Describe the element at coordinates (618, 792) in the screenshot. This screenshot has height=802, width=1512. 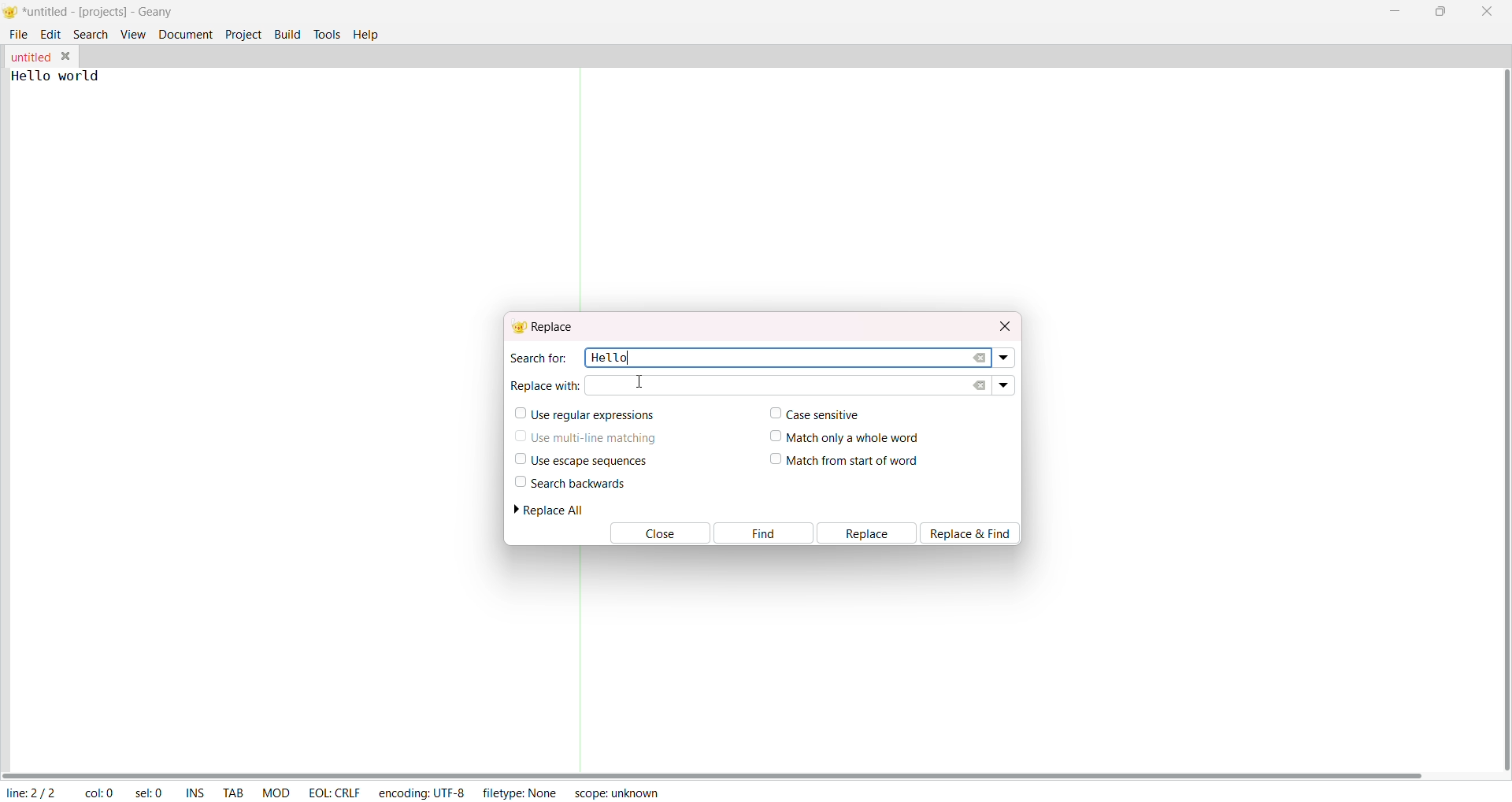
I see `scope: unknown` at that location.